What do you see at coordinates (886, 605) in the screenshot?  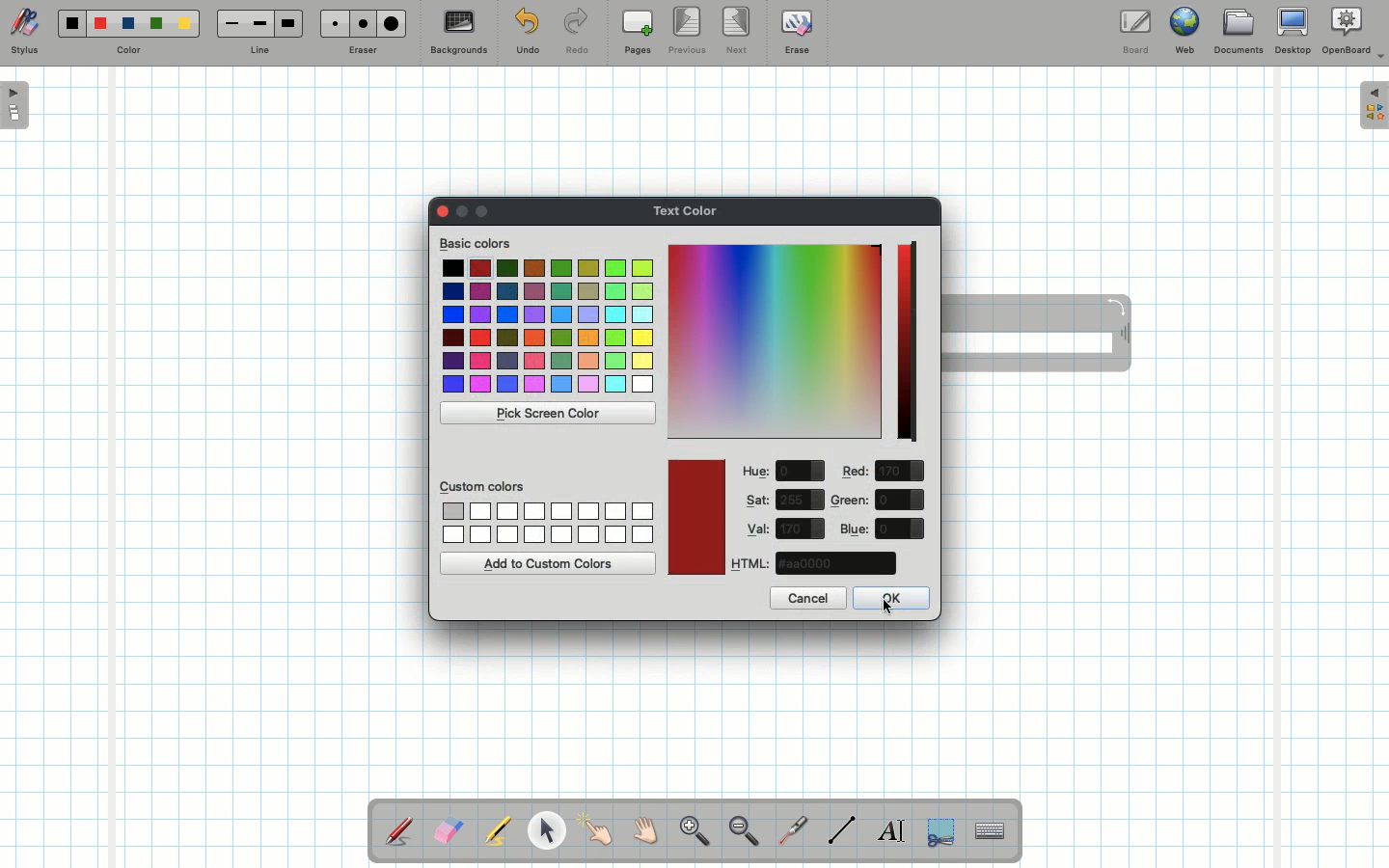 I see `cursor` at bounding box center [886, 605].